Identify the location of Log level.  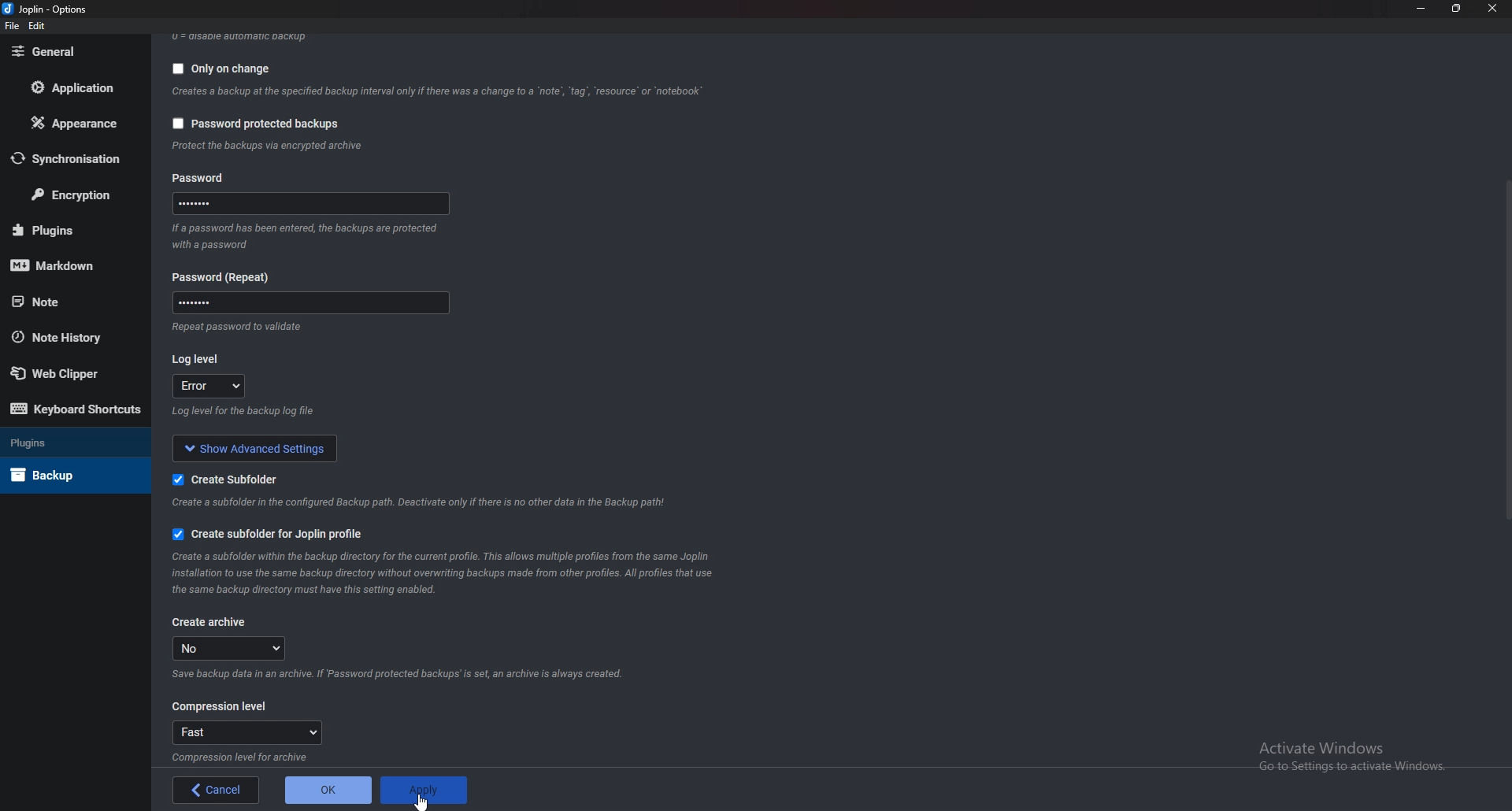
(198, 360).